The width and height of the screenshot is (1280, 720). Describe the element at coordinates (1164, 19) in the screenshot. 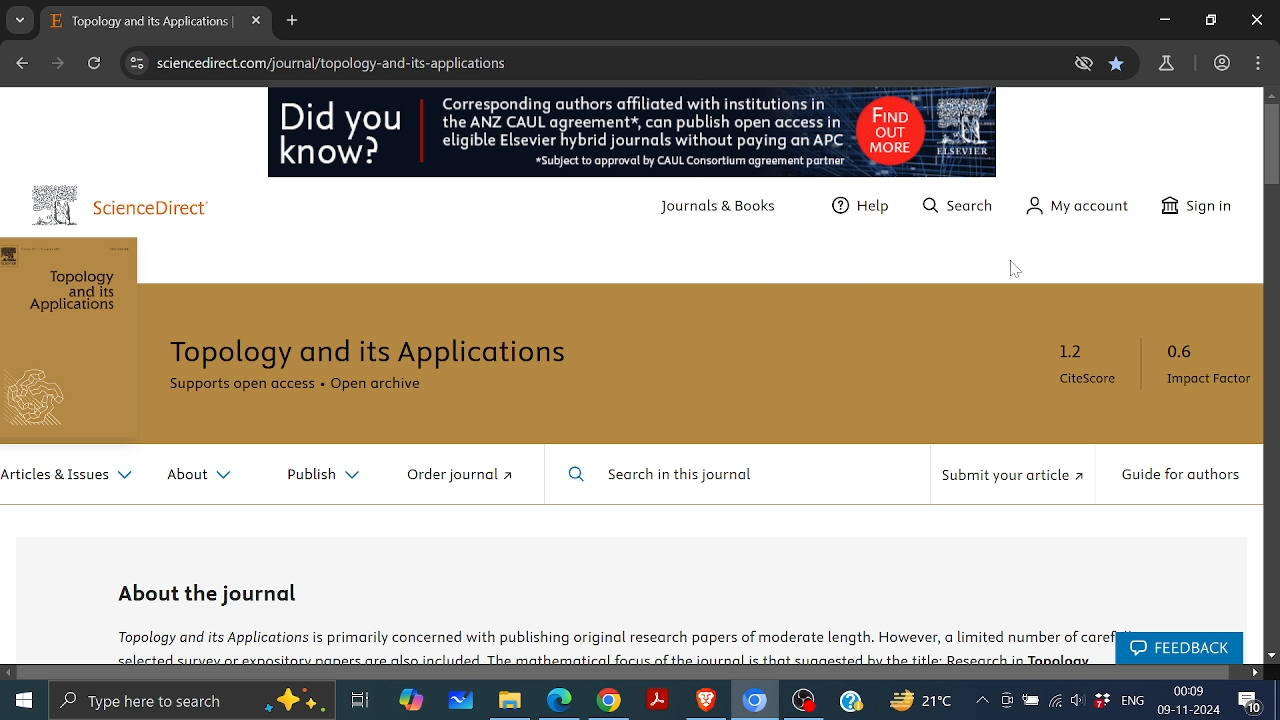

I see `Minimize` at that location.